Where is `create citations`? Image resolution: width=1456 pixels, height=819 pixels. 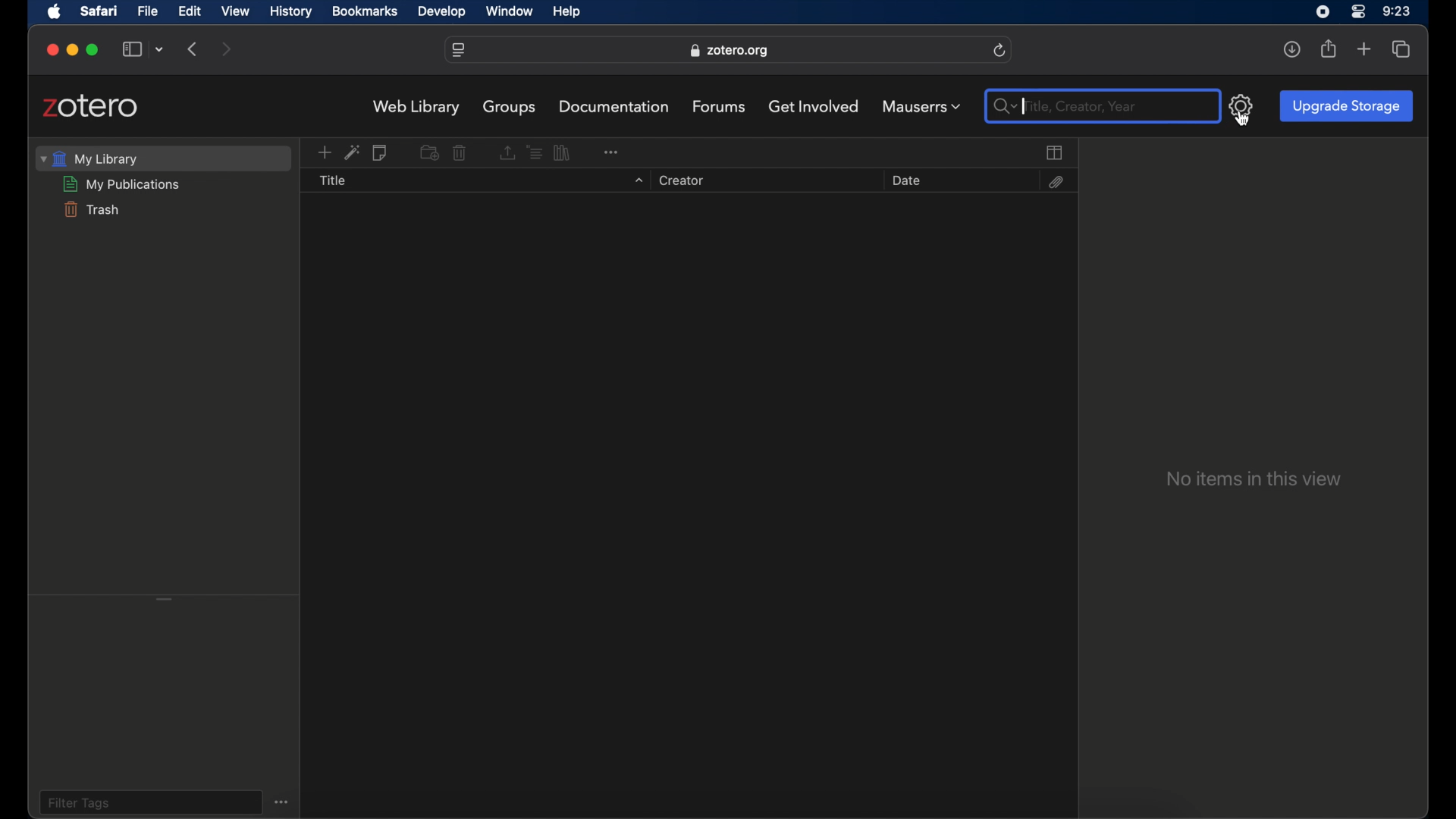
create citations is located at coordinates (534, 152).